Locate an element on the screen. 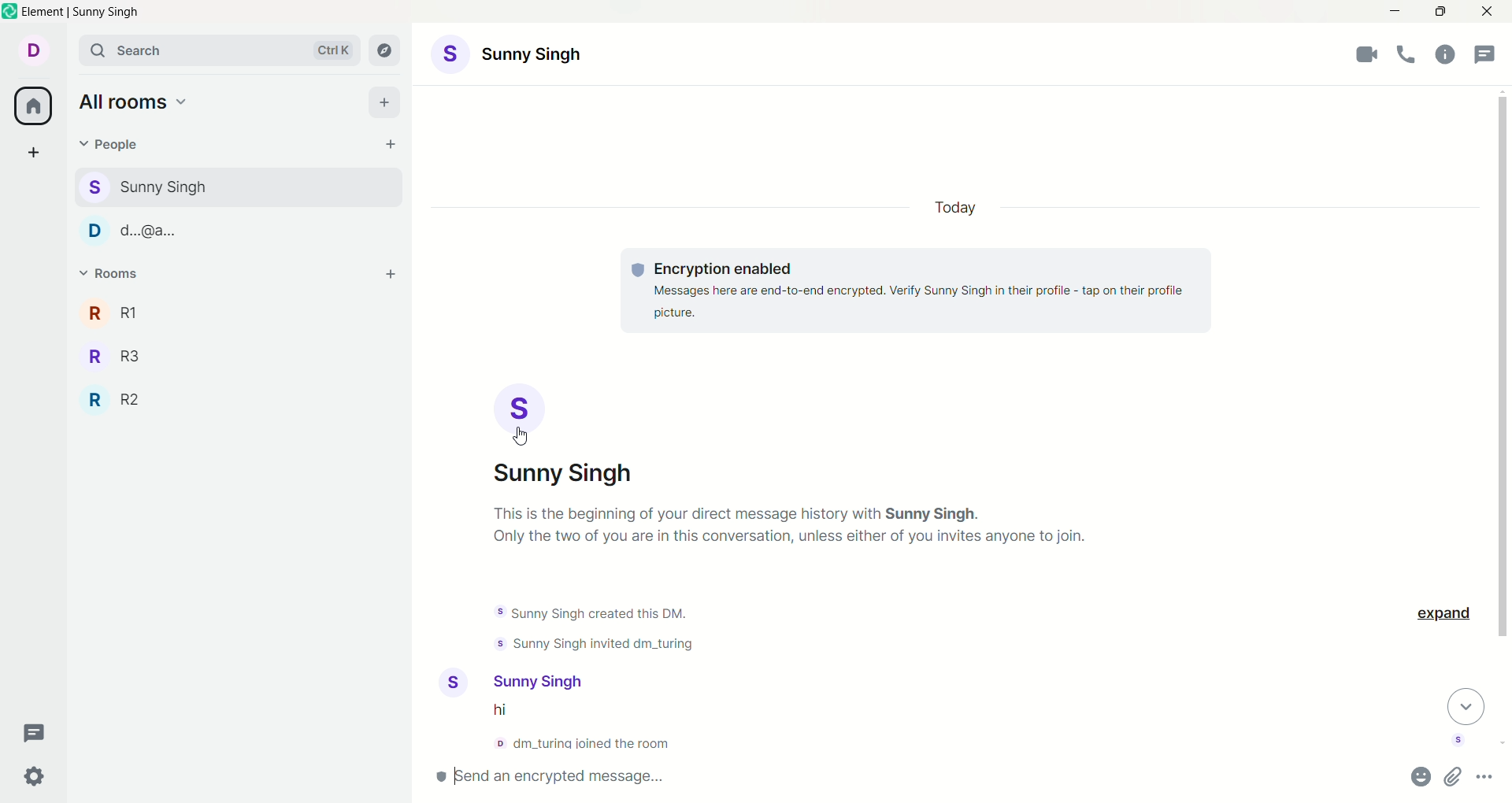  Emoji is located at coordinates (1421, 777).